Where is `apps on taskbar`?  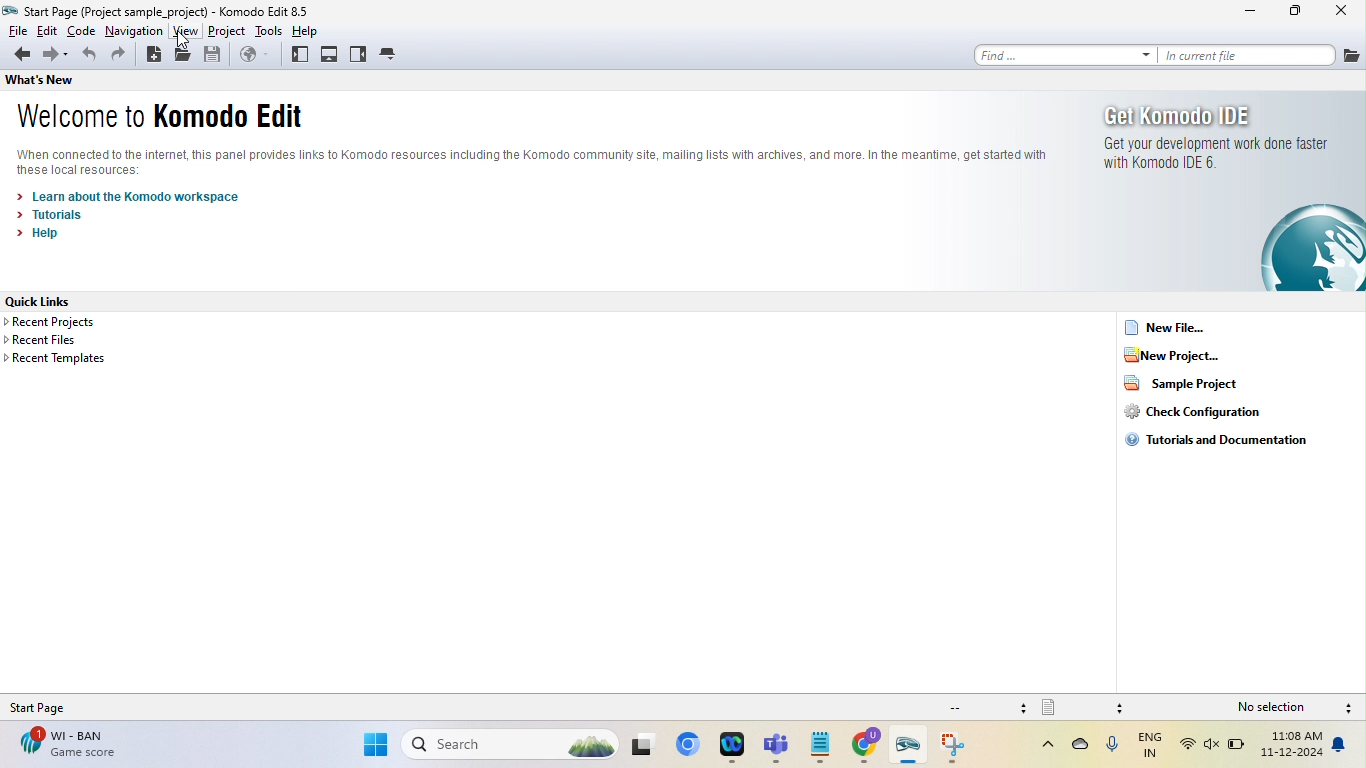 apps on taskbar is located at coordinates (735, 747).